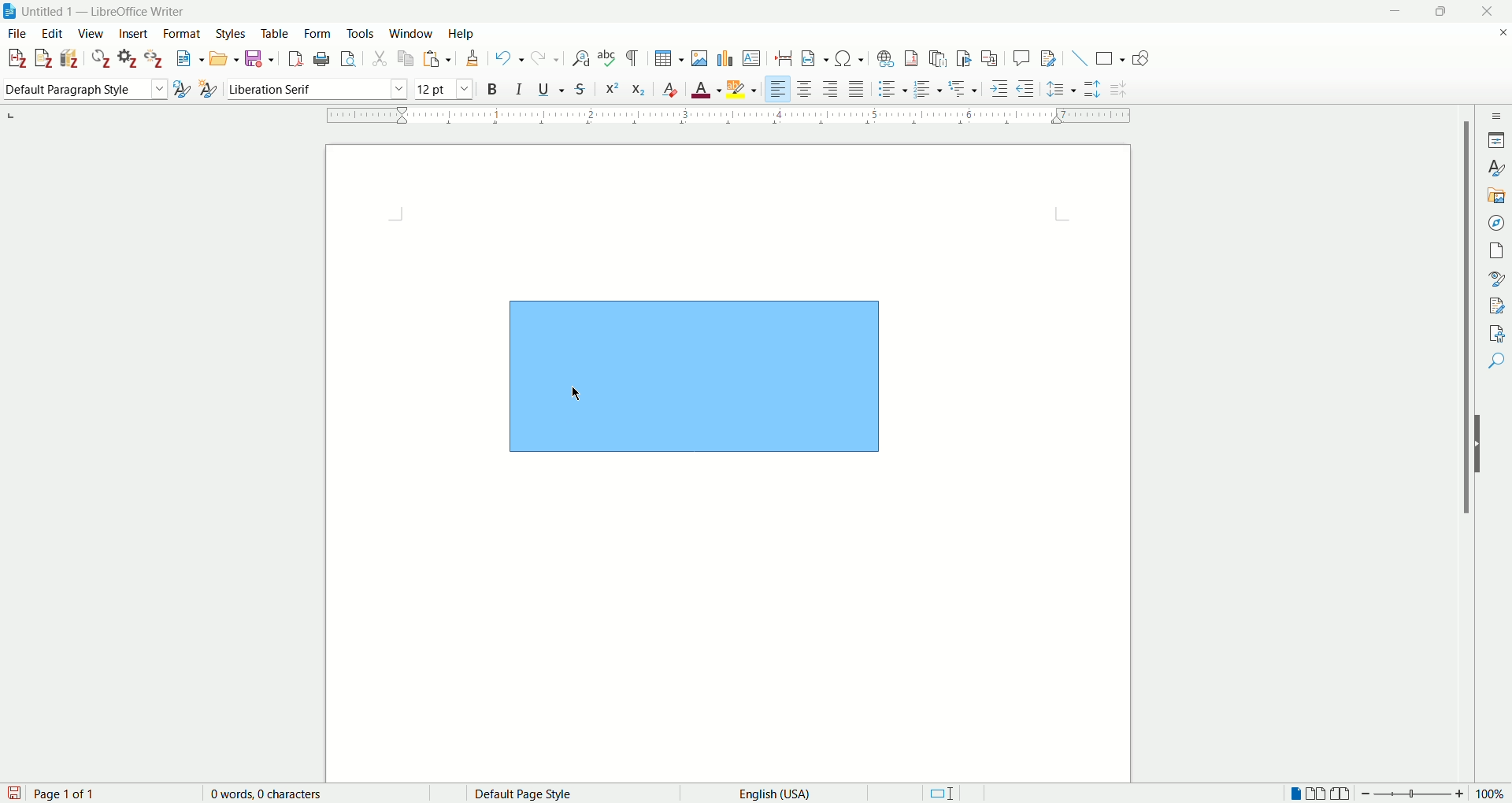 This screenshot has height=803, width=1512. What do you see at coordinates (85, 89) in the screenshot?
I see `paragraph style` at bounding box center [85, 89].